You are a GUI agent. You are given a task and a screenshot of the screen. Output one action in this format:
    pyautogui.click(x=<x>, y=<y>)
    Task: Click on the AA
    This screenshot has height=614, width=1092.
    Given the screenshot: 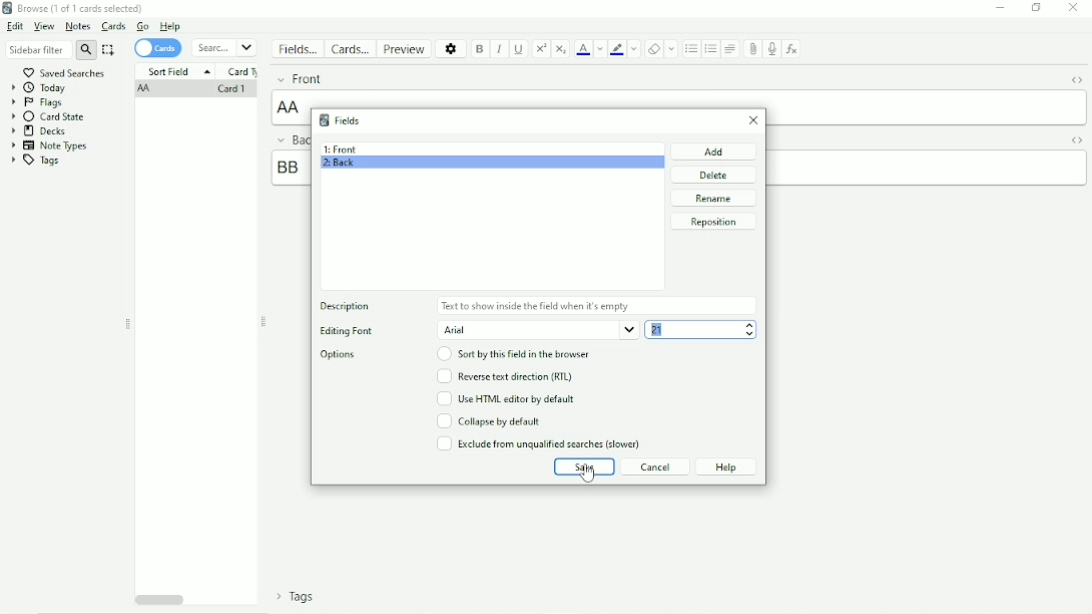 What is the action you would take?
    pyautogui.click(x=291, y=107)
    